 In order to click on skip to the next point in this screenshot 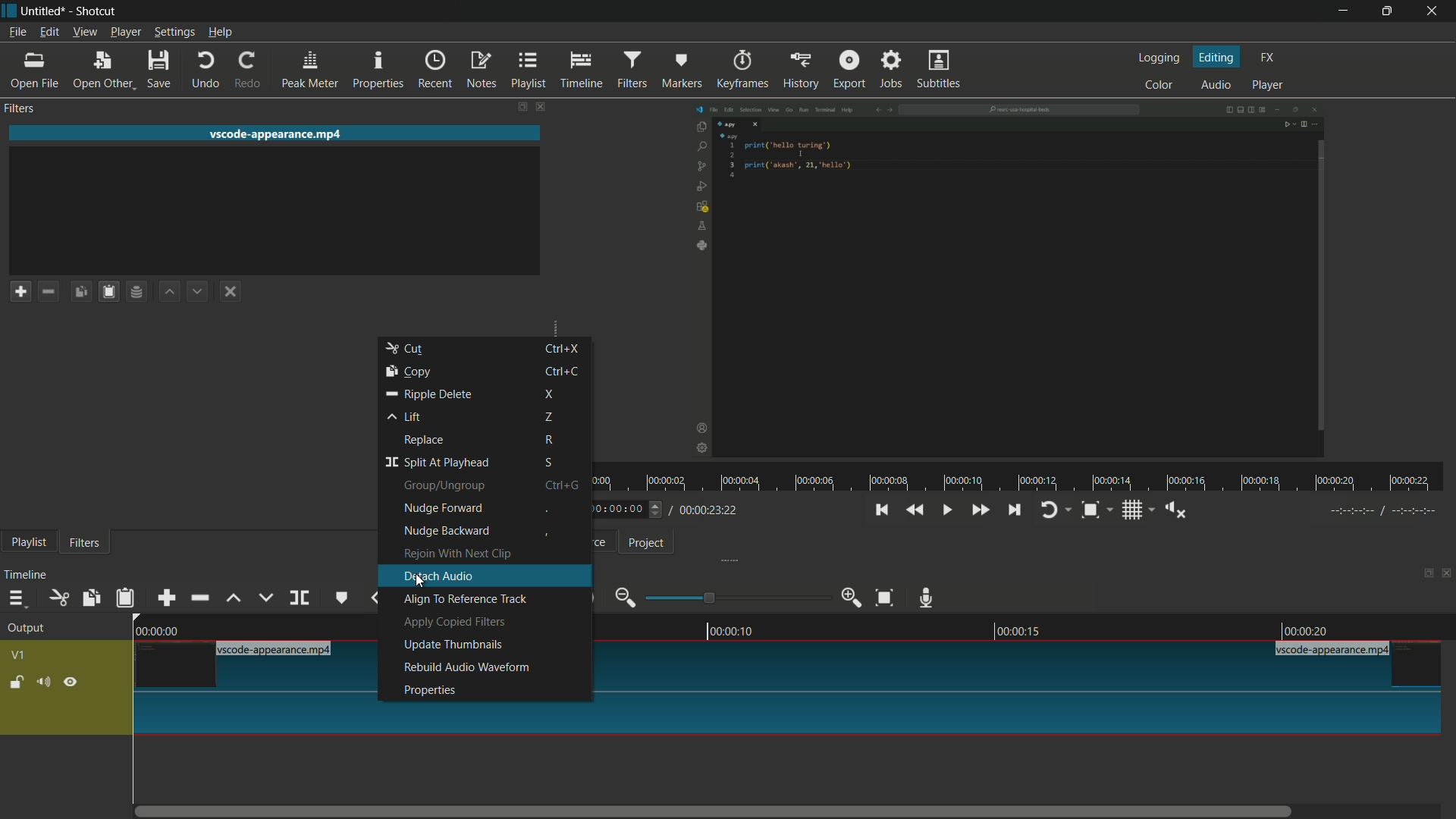, I will do `click(1014, 511)`.